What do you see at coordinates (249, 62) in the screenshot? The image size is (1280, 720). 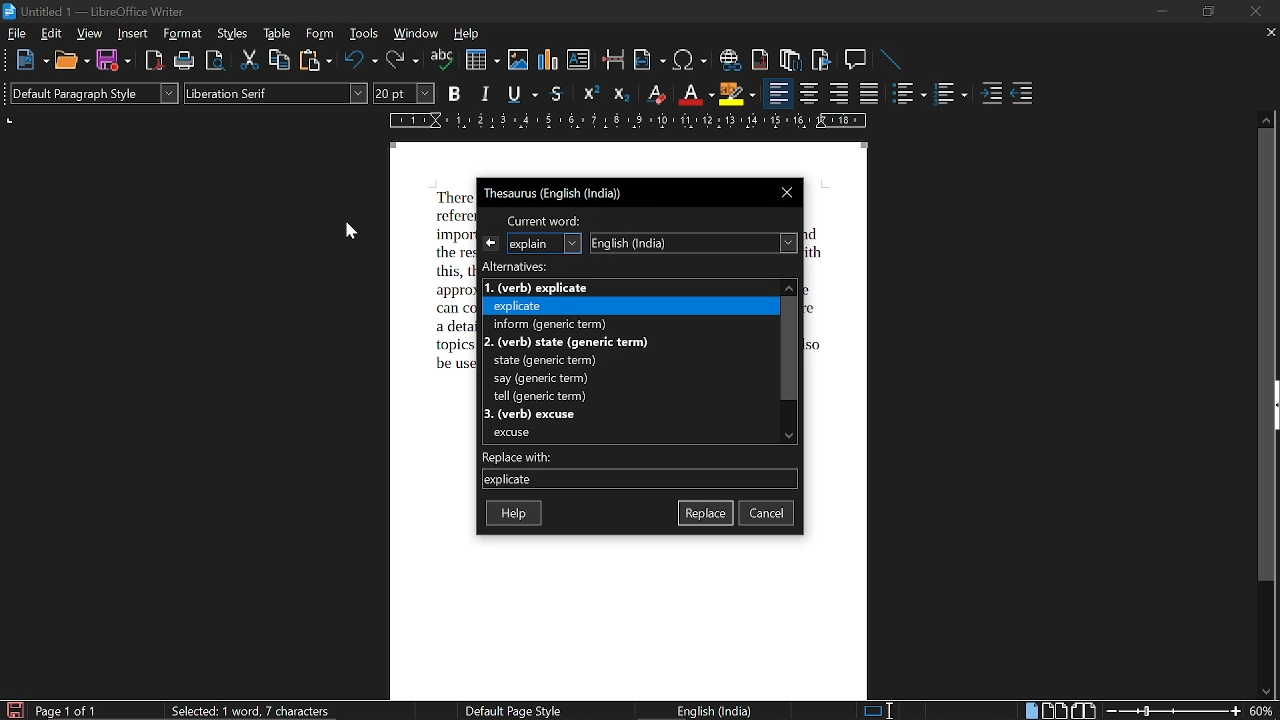 I see `cut ` at bounding box center [249, 62].